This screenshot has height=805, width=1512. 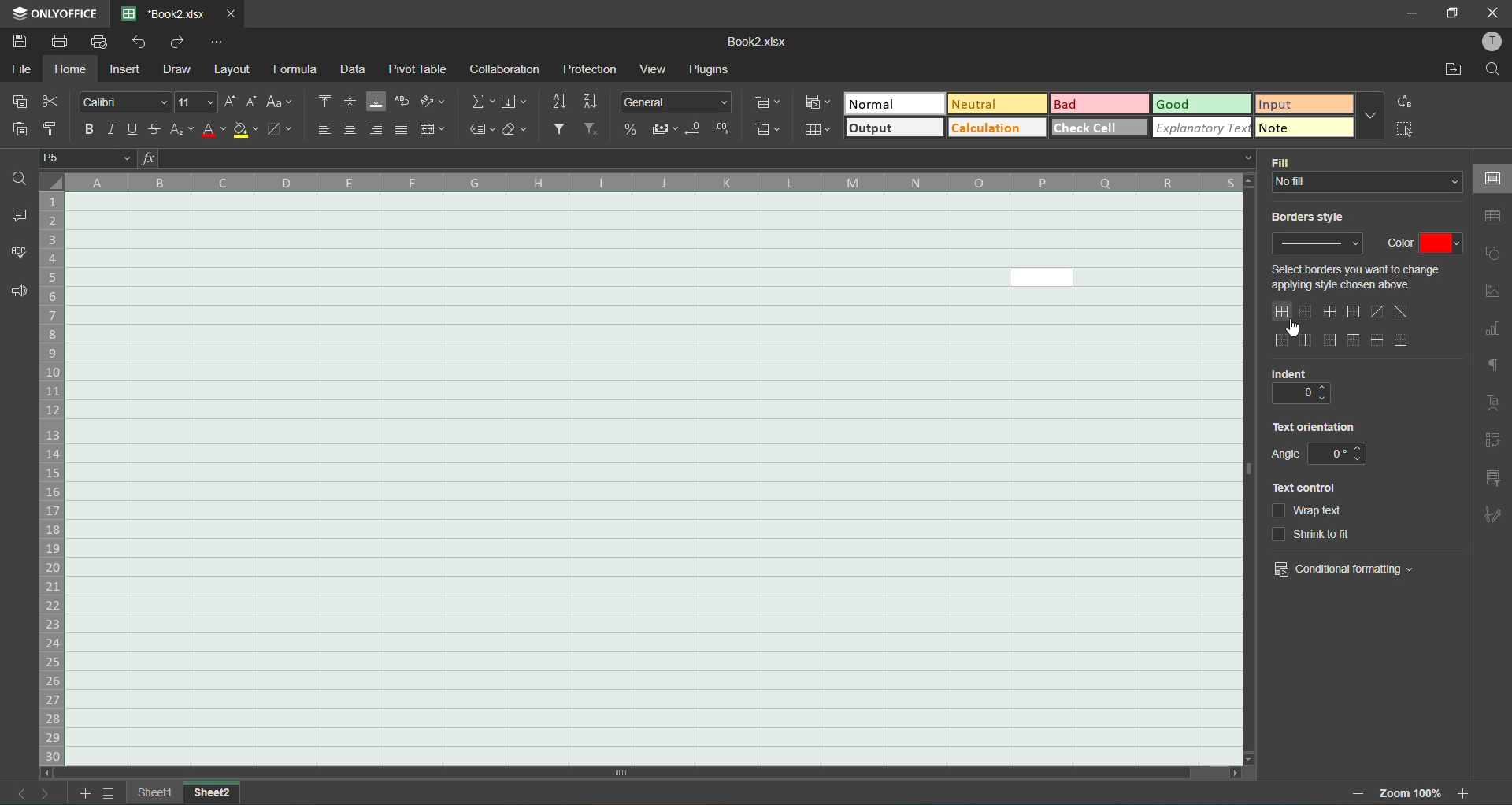 What do you see at coordinates (1291, 328) in the screenshot?
I see `cursor` at bounding box center [1291, 328].